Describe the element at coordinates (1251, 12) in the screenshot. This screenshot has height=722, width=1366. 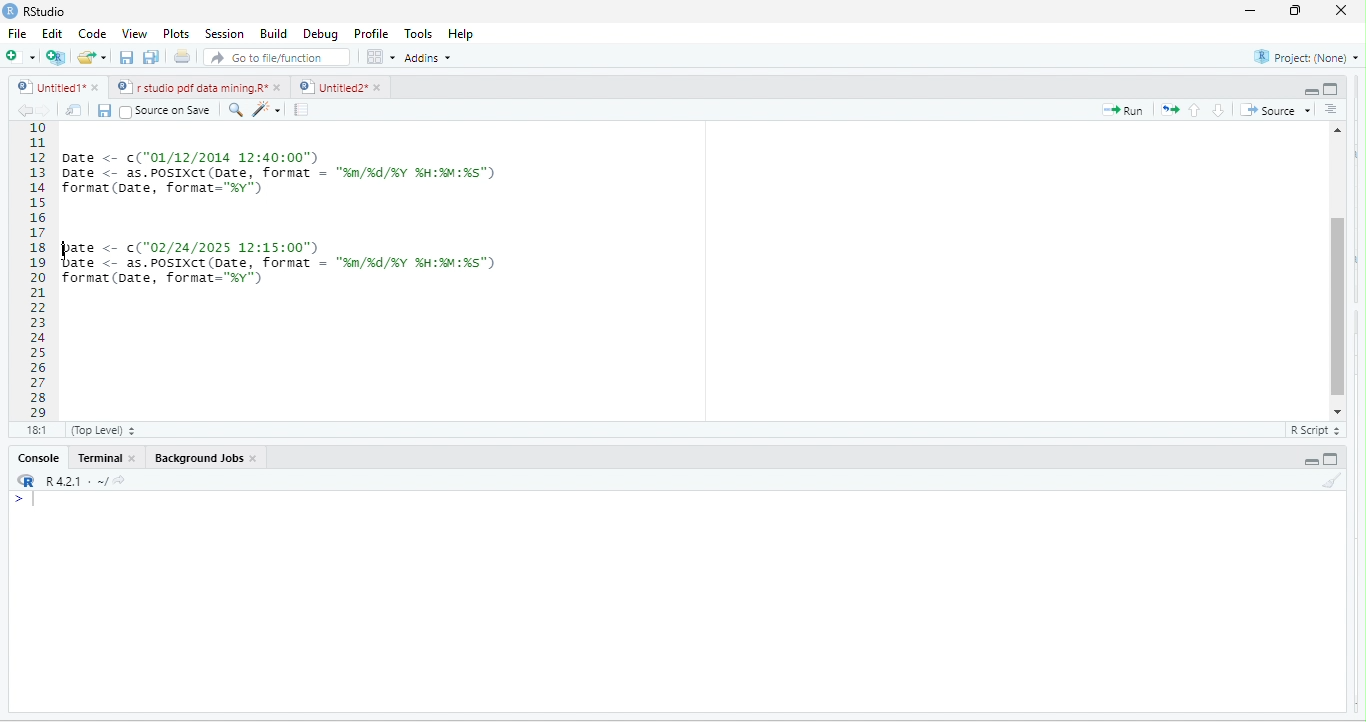
I see `minimize` at that location.